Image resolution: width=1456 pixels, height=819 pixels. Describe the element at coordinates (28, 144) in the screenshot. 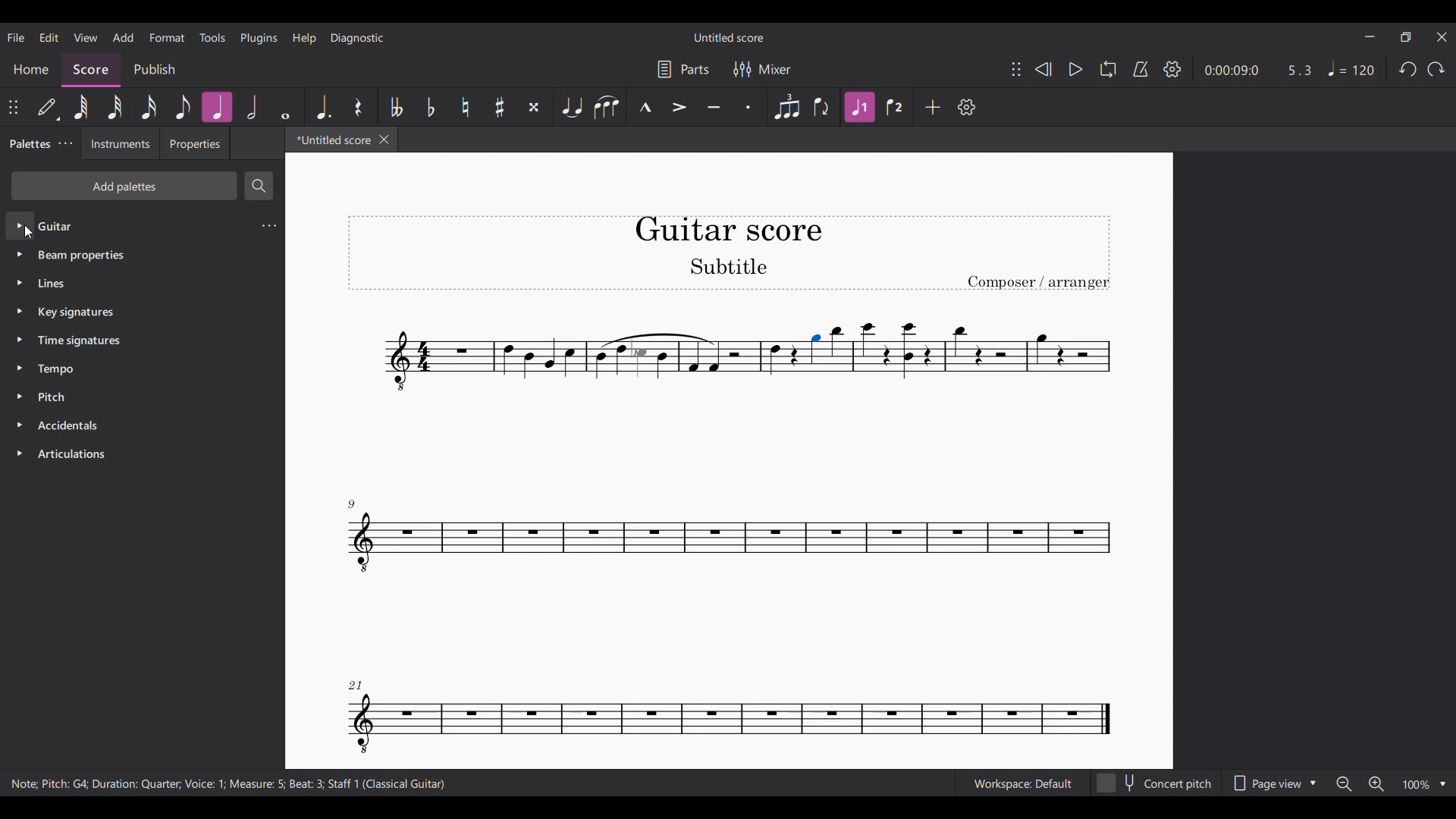

I see `Palettes, current tab` at that location.